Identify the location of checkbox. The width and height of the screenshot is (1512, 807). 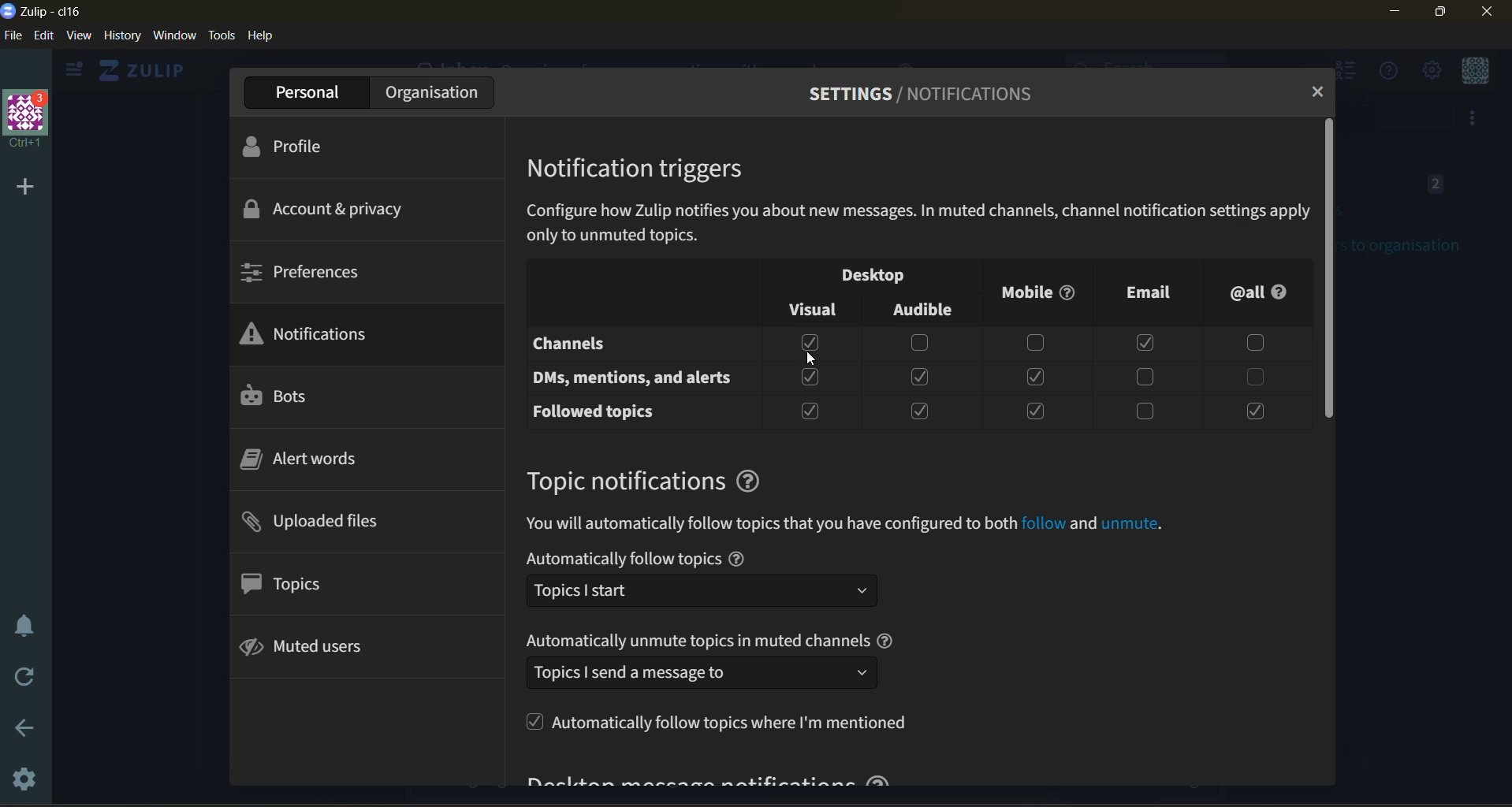
(1145, 413).